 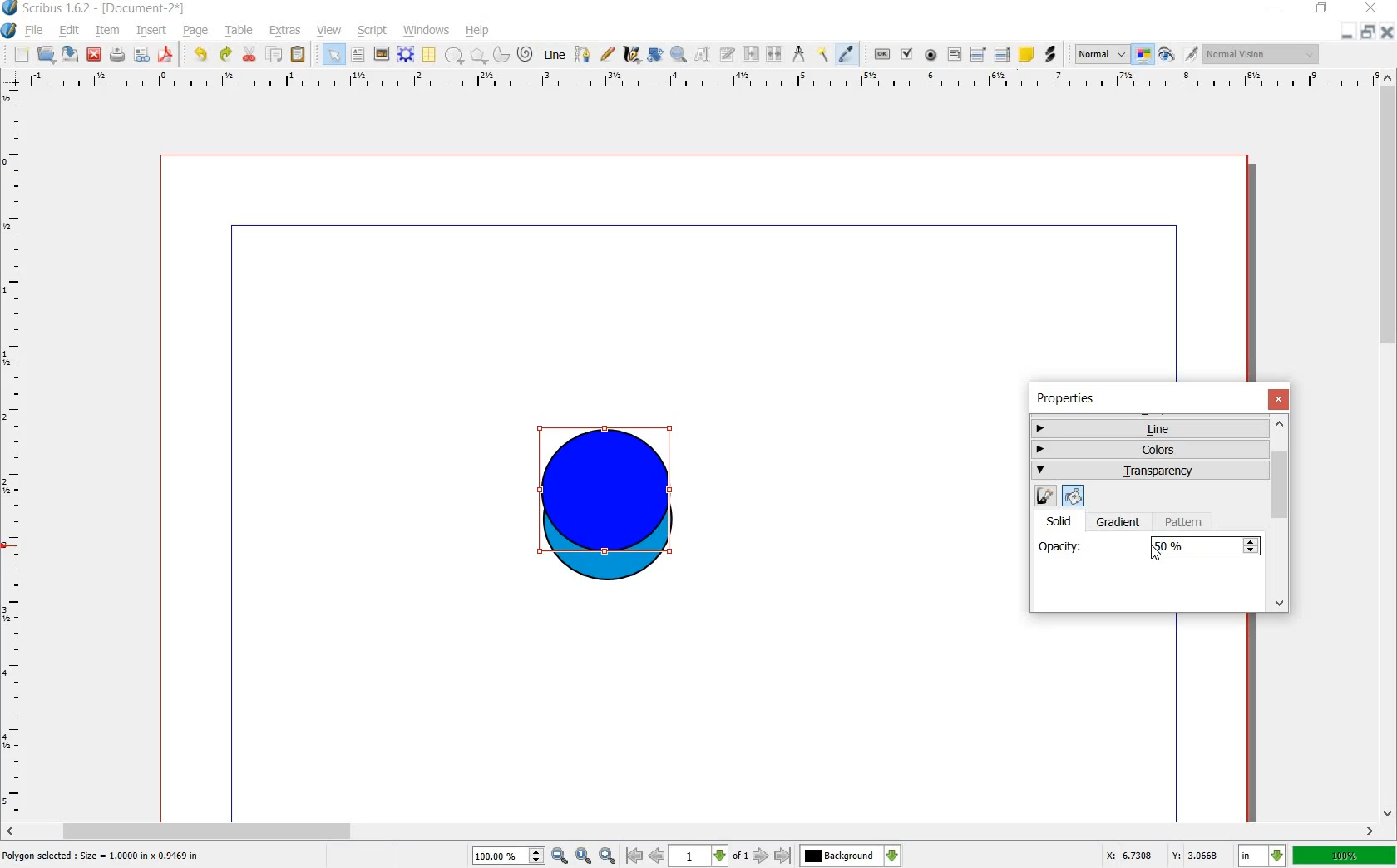 I want to click on pdf text fied, so click(x=955, y=53).